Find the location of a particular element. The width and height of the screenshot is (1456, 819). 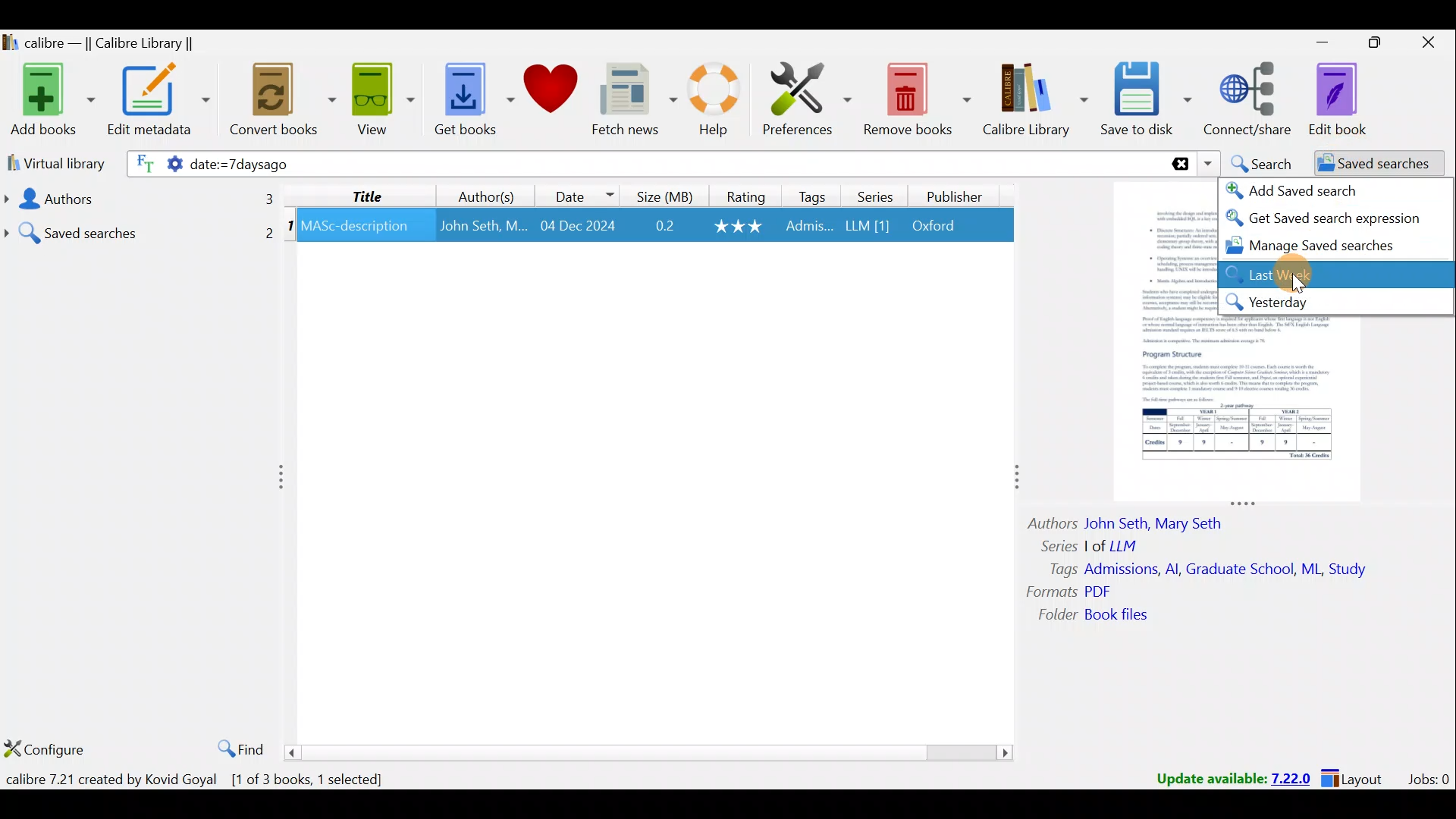

calibre — || Calibre Library || is located at coordinates (118, 42).